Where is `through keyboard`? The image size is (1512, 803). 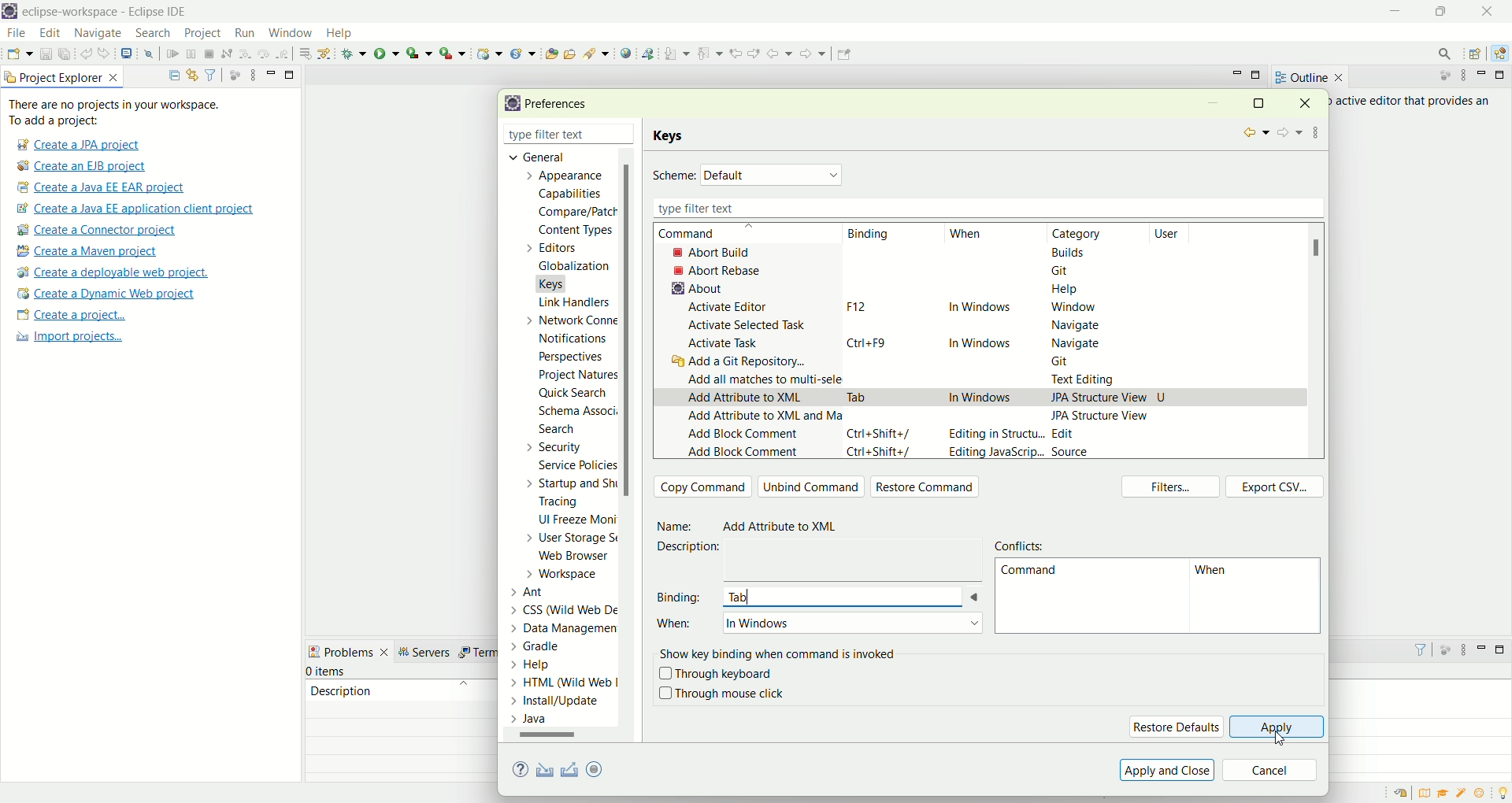 through keyboard is located at coordinates (716, 675).